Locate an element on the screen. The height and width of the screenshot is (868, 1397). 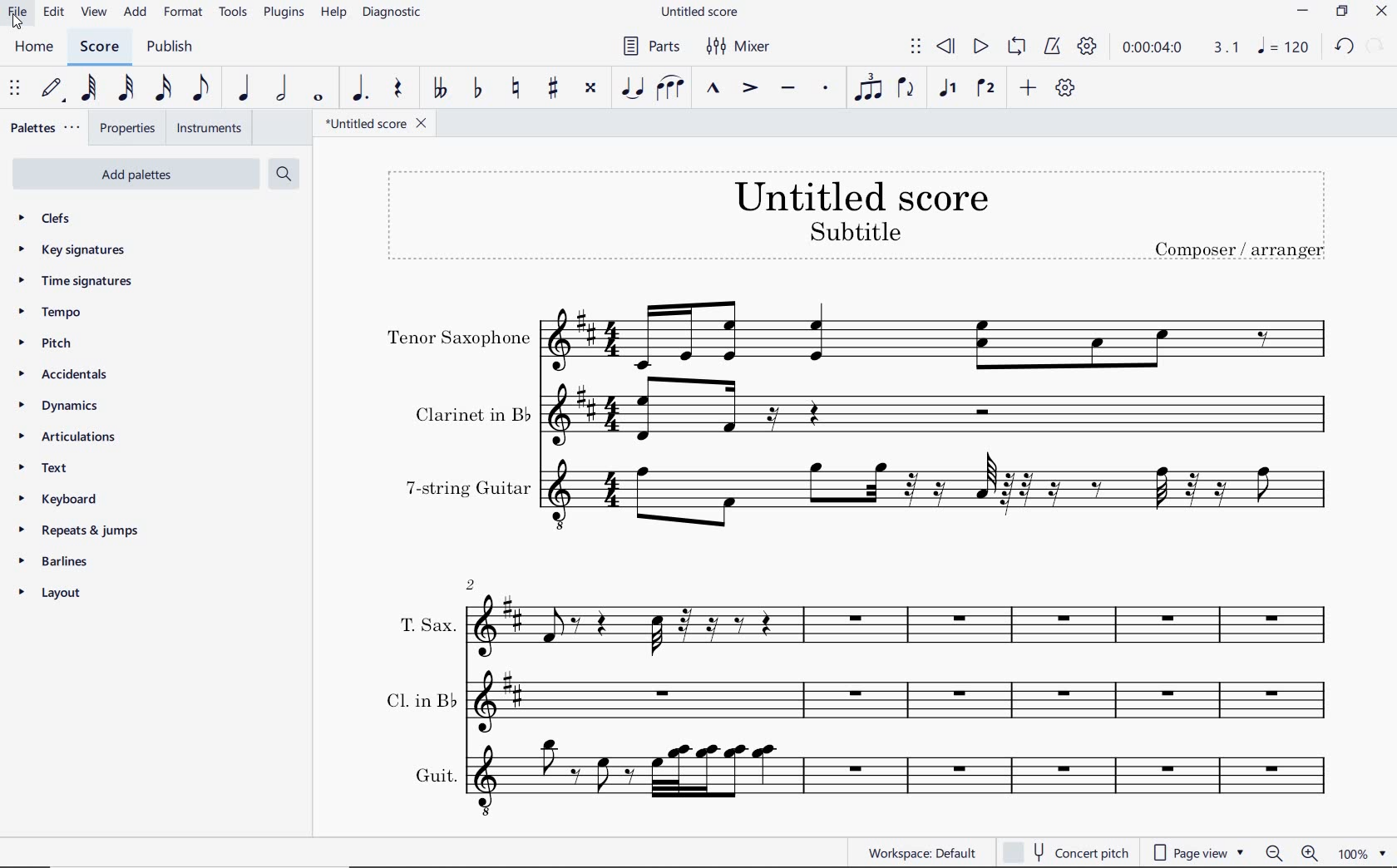
T. Sax is located at coordinates (856, 620).